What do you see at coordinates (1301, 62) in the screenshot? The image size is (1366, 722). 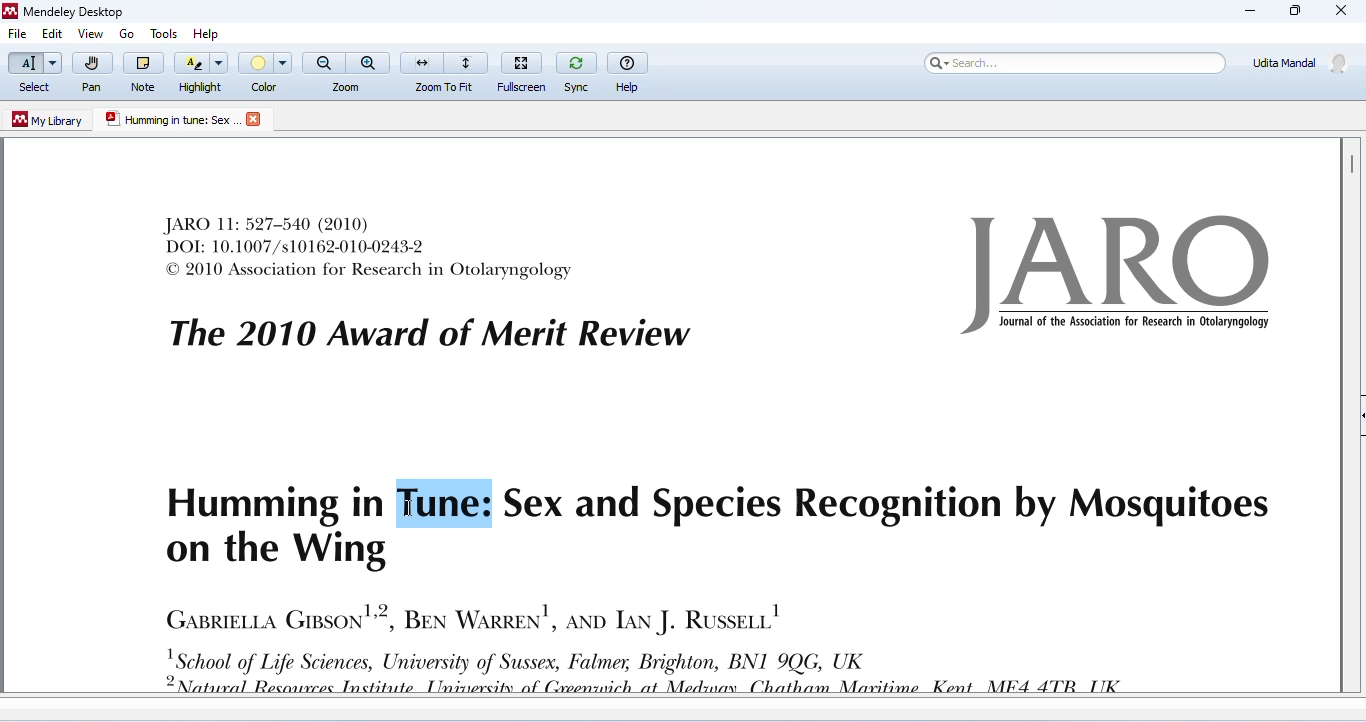 I see `account` at bounding box center [1301, 62].